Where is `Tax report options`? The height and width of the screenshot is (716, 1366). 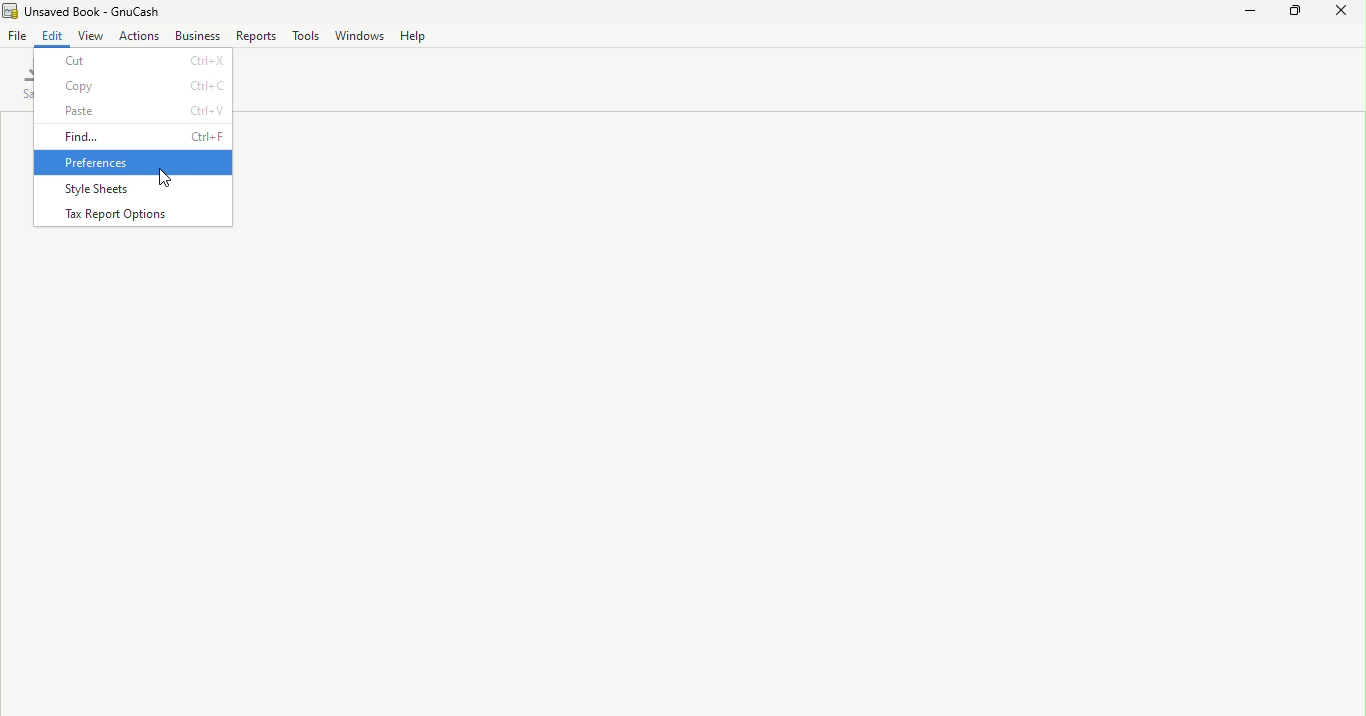 Tax report options is located at coordinates (137, 213).